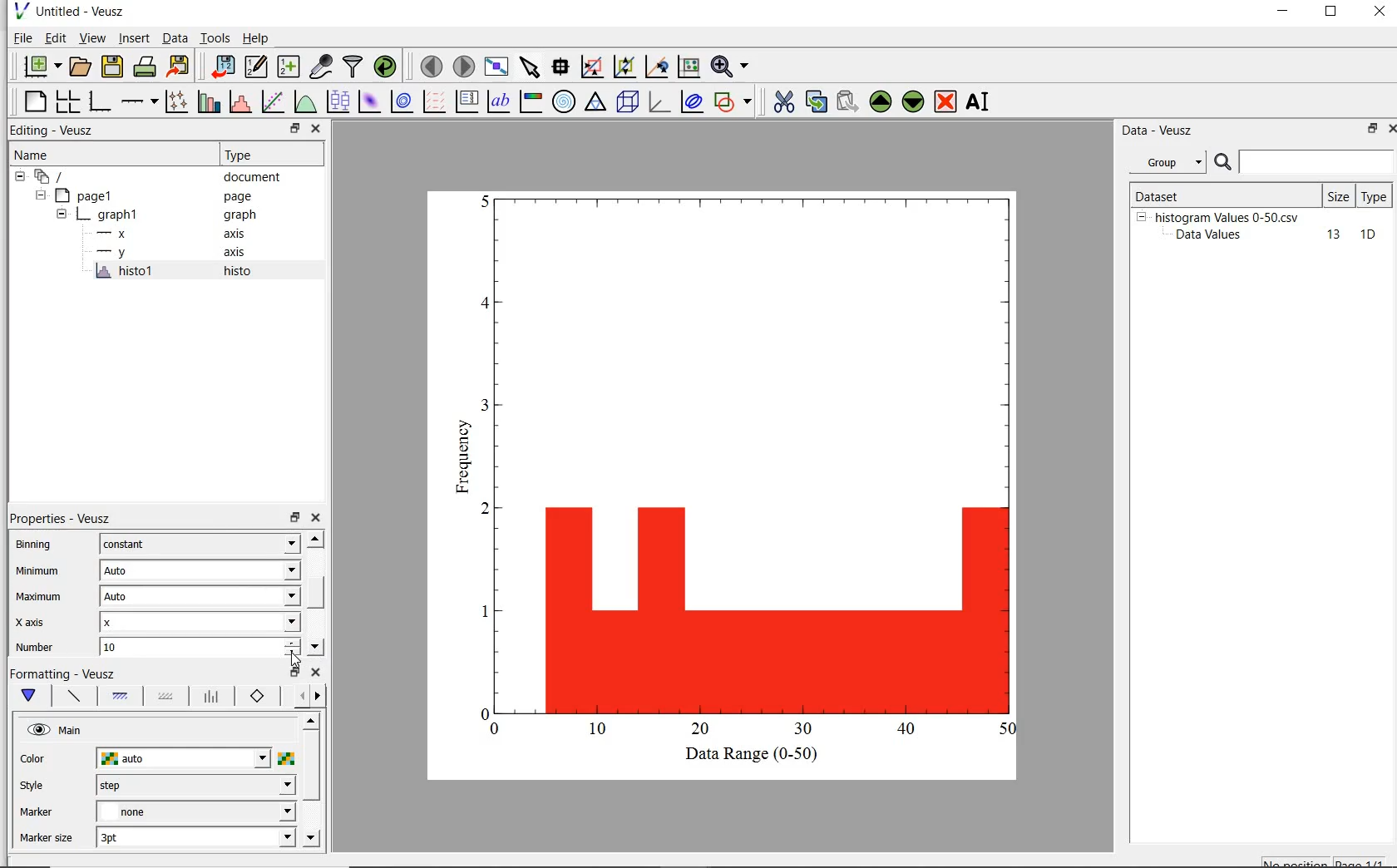 The width and height of the screenshot is (1397, 868). What do you see at coordinates (879, 102) in the screenshot?
I see `move up the selected widget` at bounding box center [879, 102].